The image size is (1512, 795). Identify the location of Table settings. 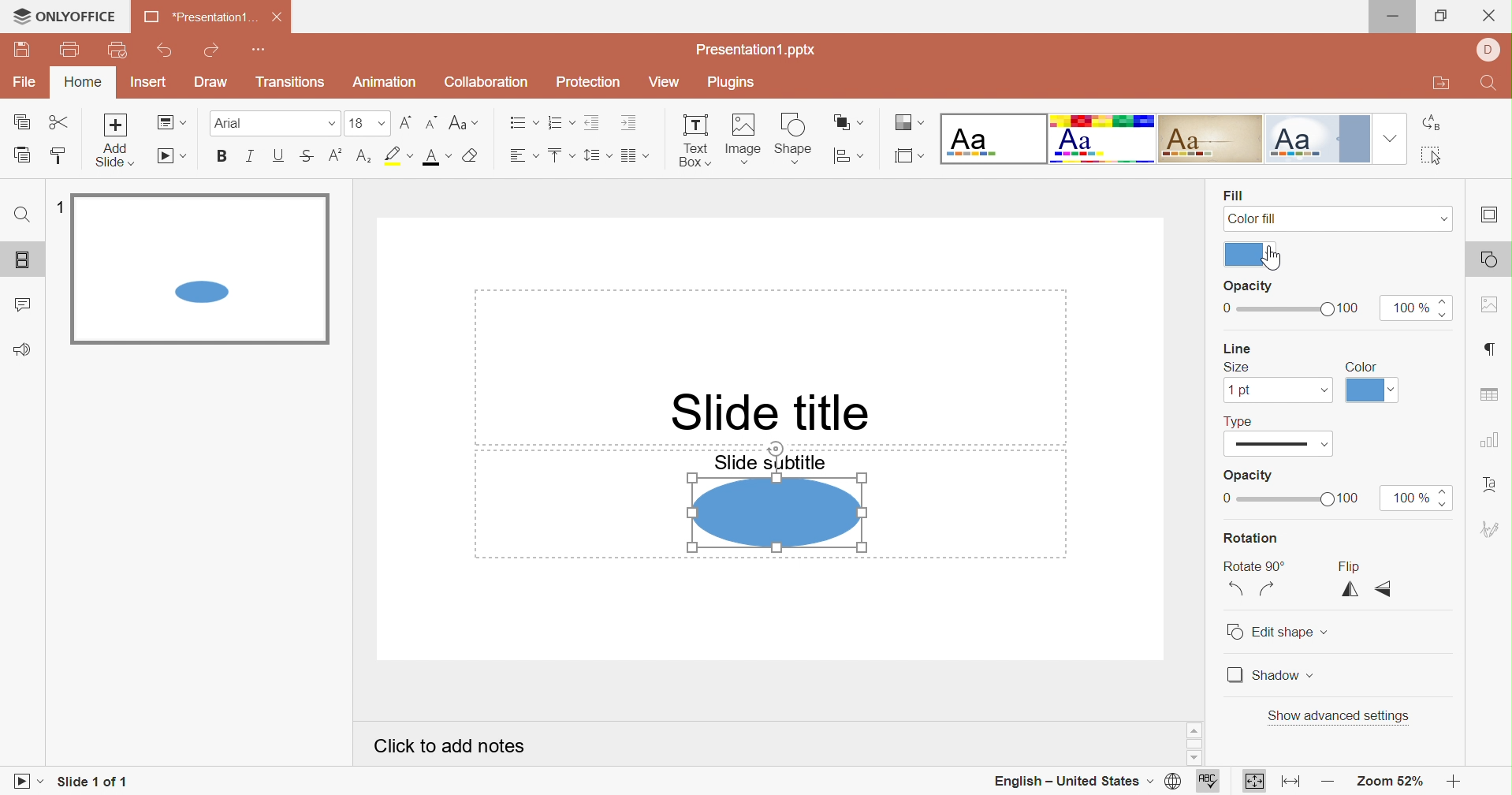
(1492, 396).